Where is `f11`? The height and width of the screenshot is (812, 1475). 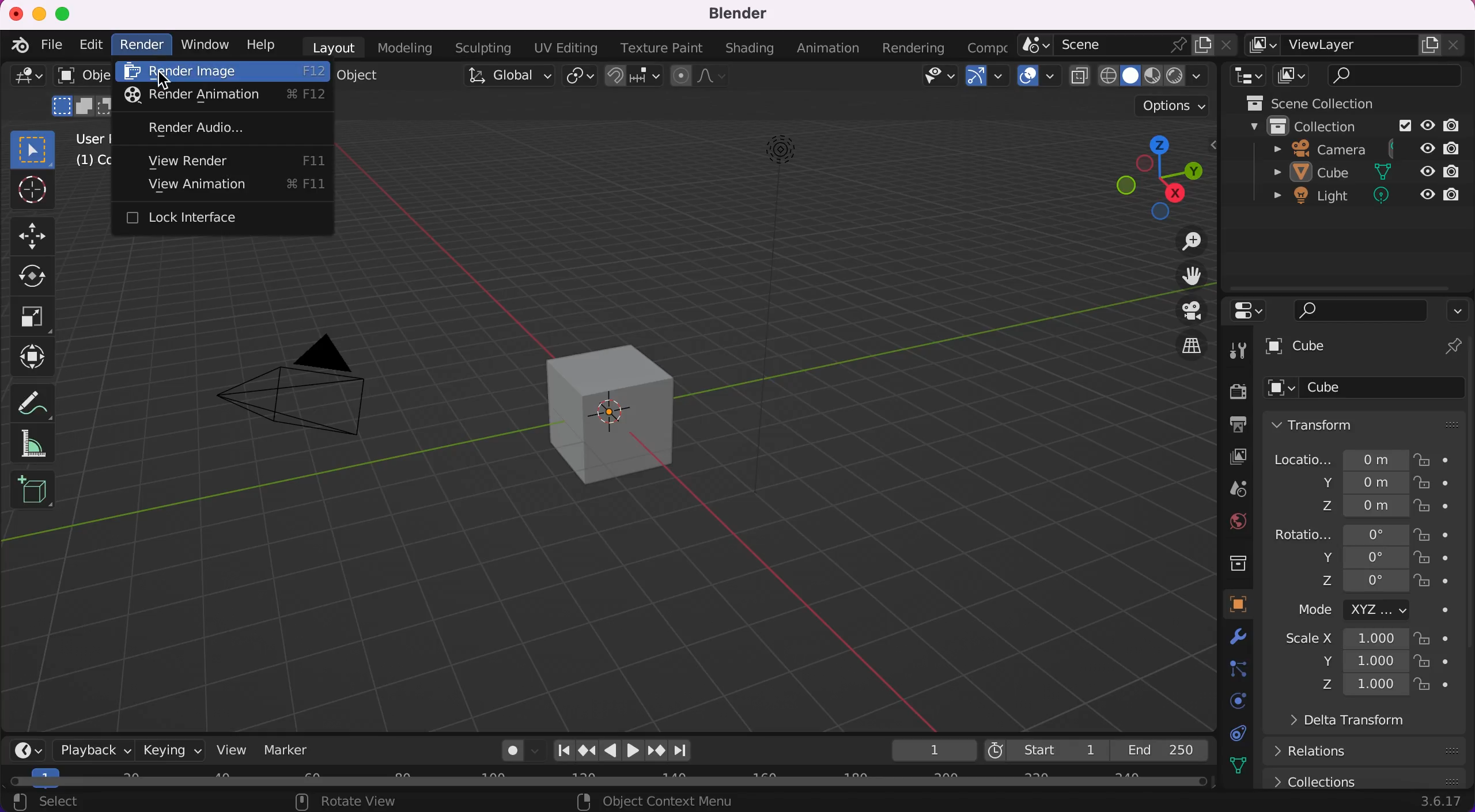 f11 is located at coordinates (312, 155).